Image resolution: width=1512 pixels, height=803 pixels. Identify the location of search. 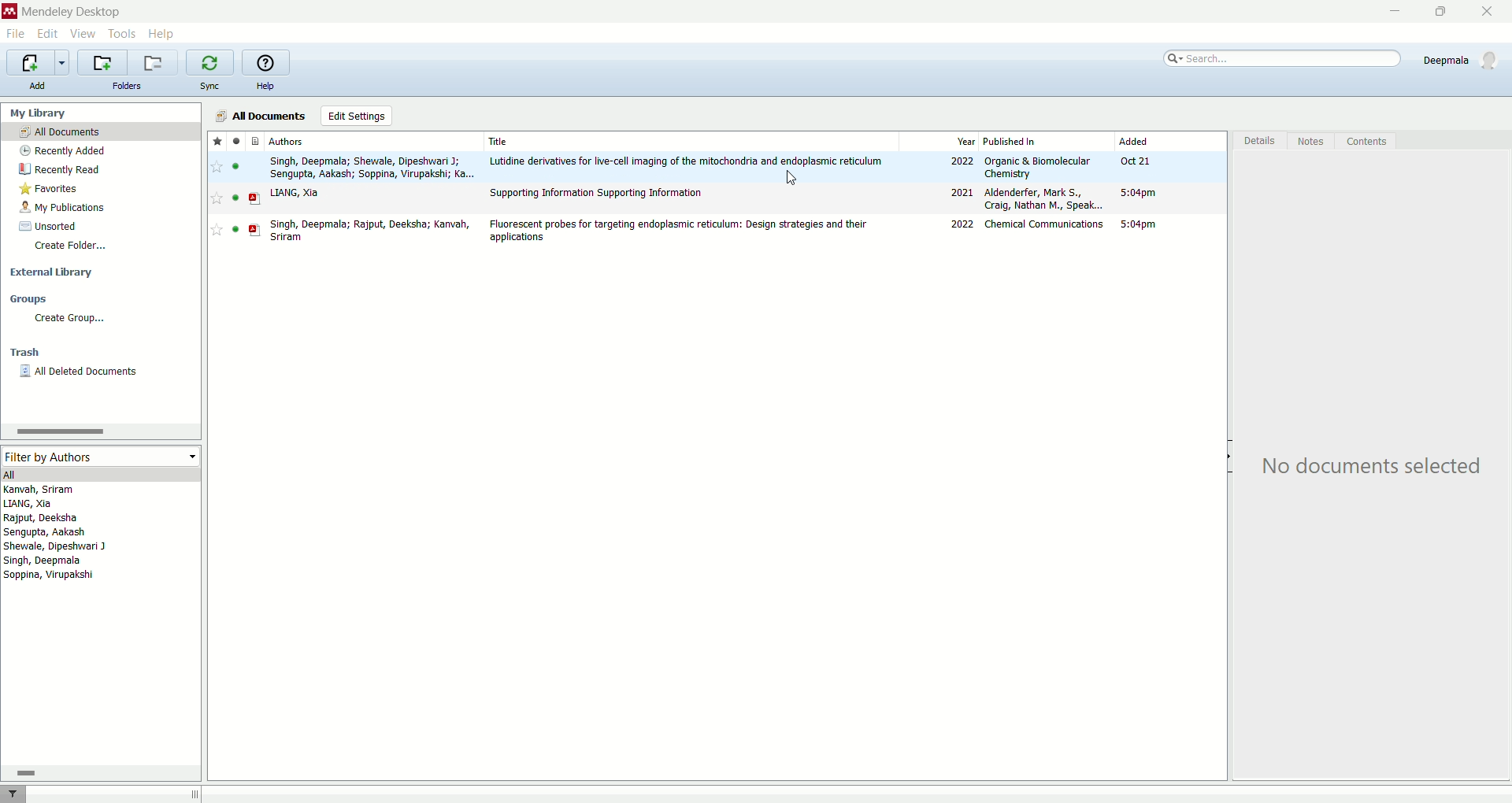
(1280, 58).